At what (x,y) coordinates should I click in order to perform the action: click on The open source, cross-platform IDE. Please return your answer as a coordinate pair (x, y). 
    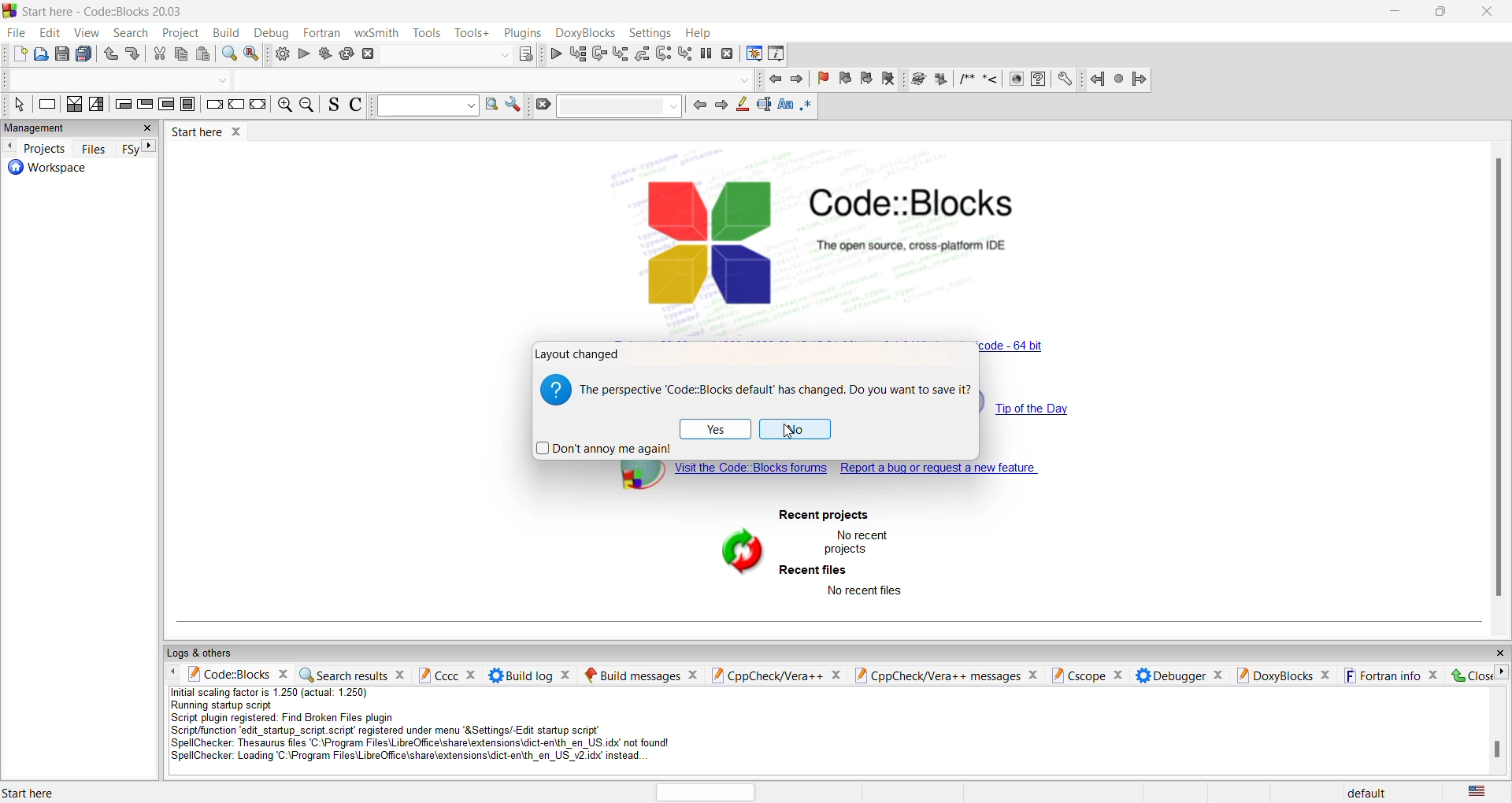
    Looking at the image, I should click on (910, 246).